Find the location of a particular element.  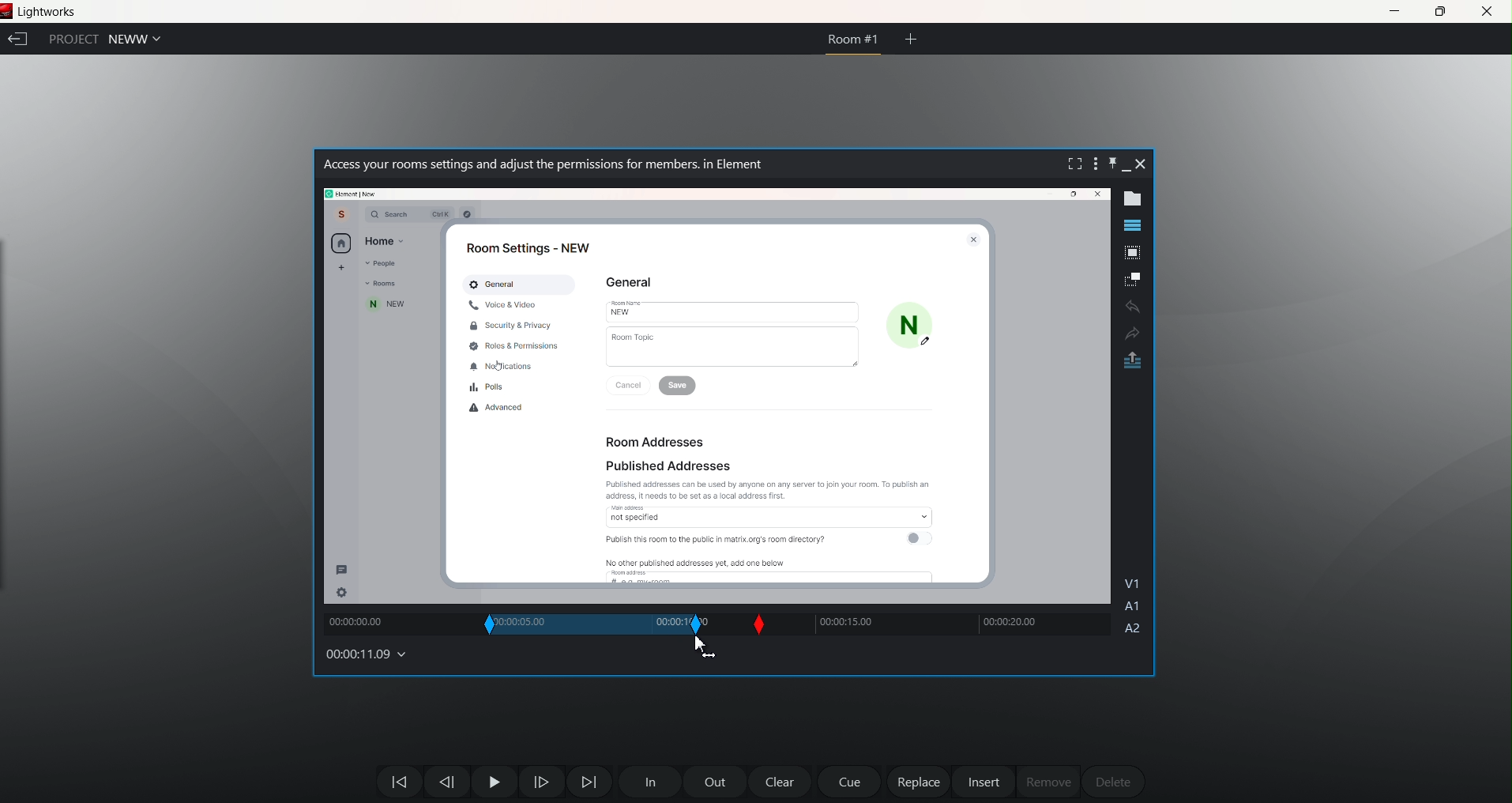

 is located at coordinates (470, 213).